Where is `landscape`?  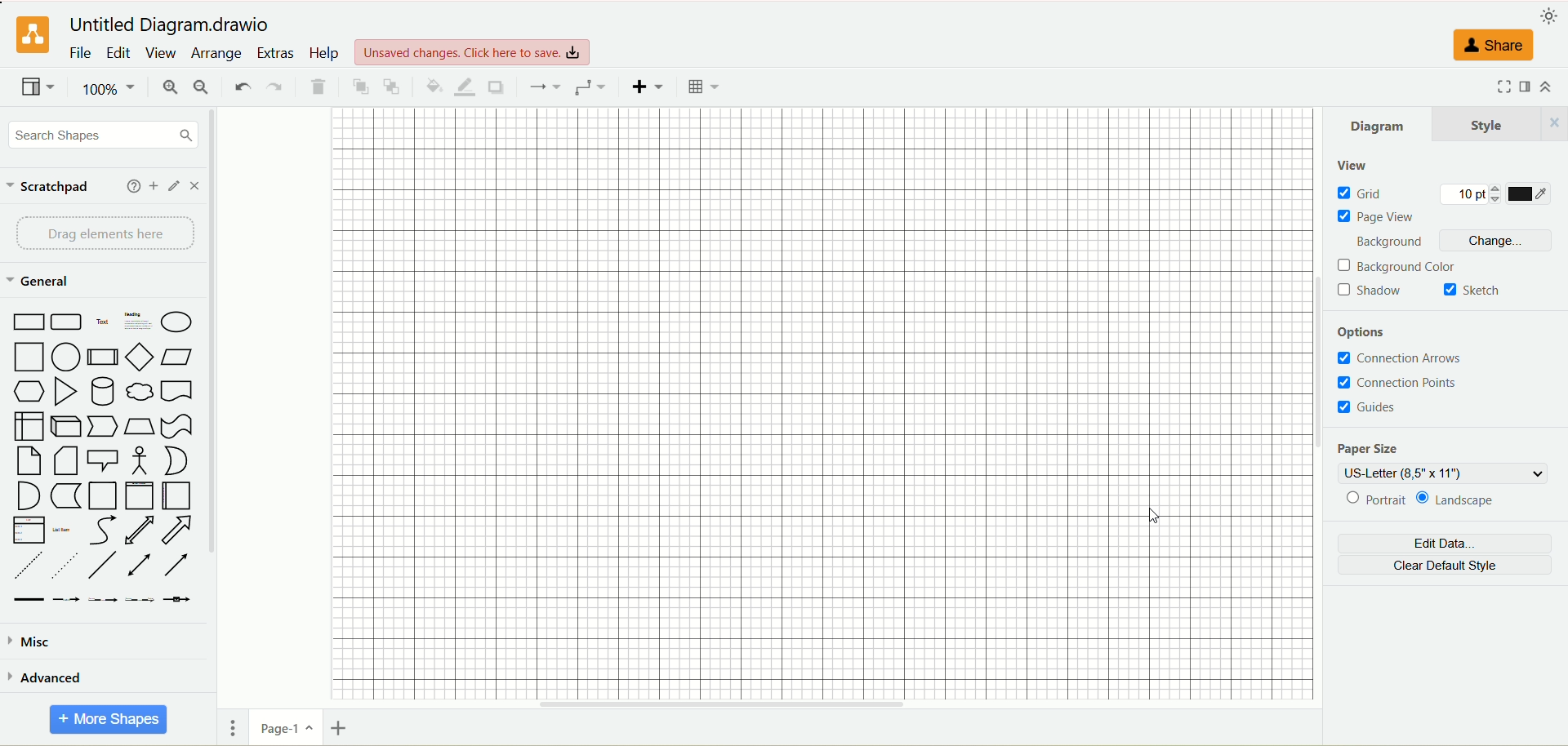
landscape is located at coordinates (1464, 500).